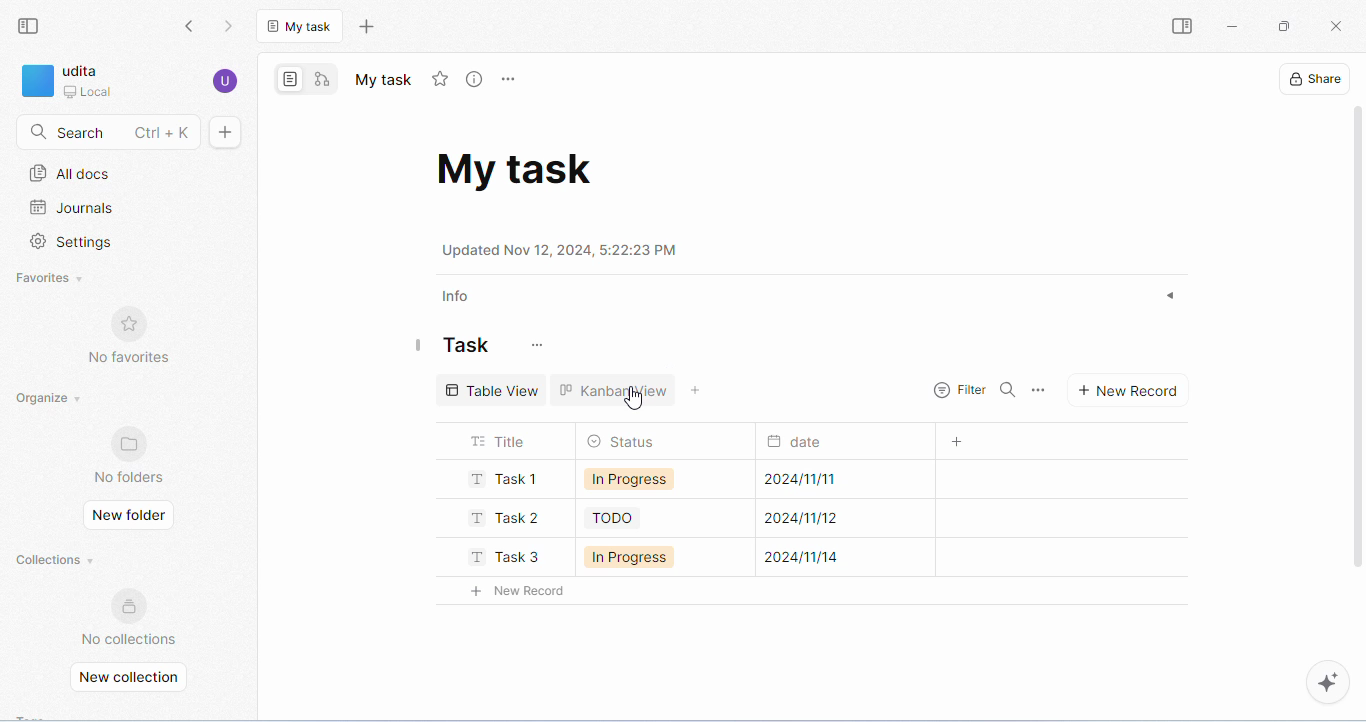 This screenshot has width=1366, height=722. Describe the element at coordinates (507, 518) in the screenshot. I see `task2` at that location.